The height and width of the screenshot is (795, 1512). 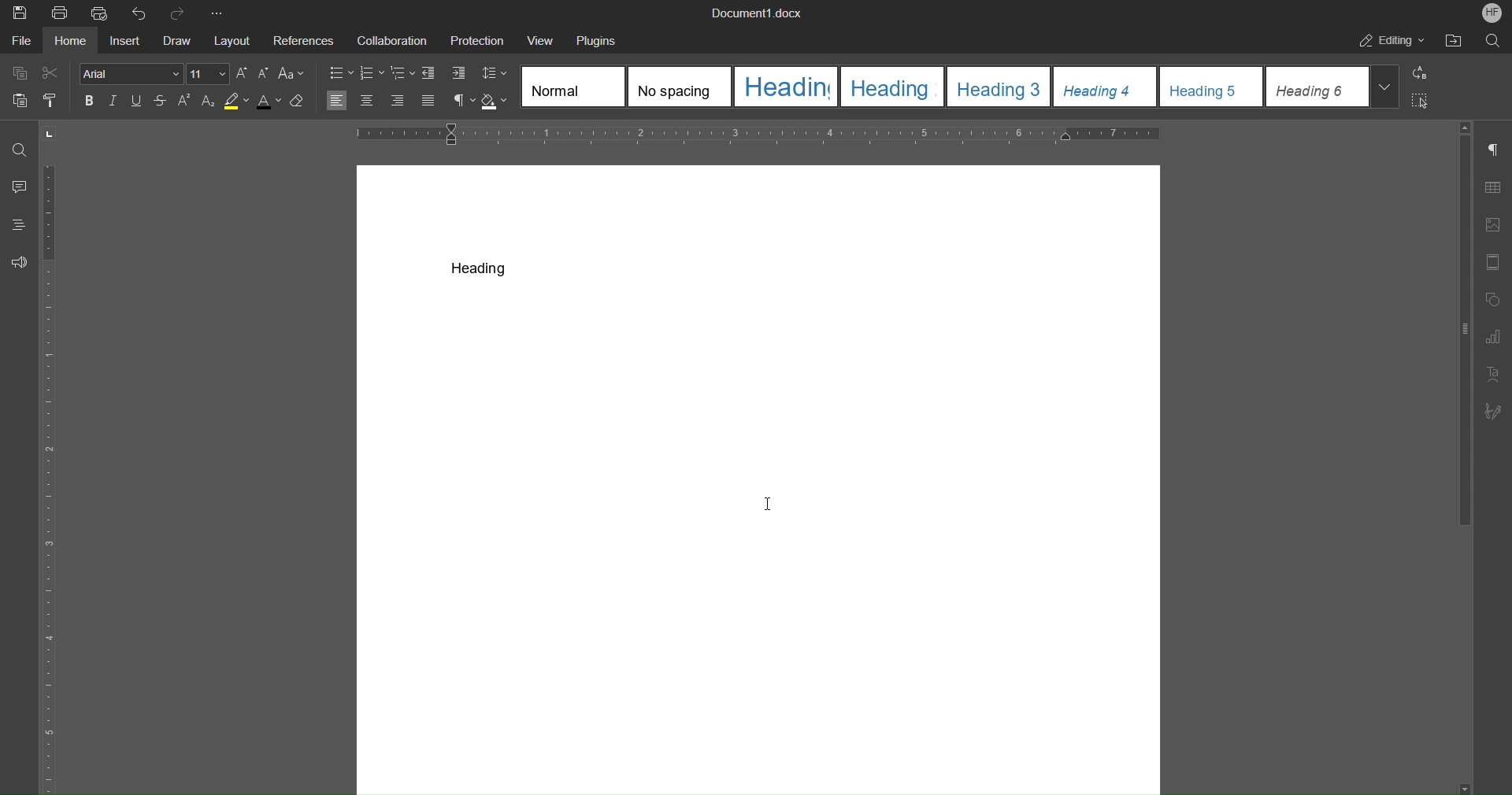 I want to click on Centre Align, so click(x=369, y=101).